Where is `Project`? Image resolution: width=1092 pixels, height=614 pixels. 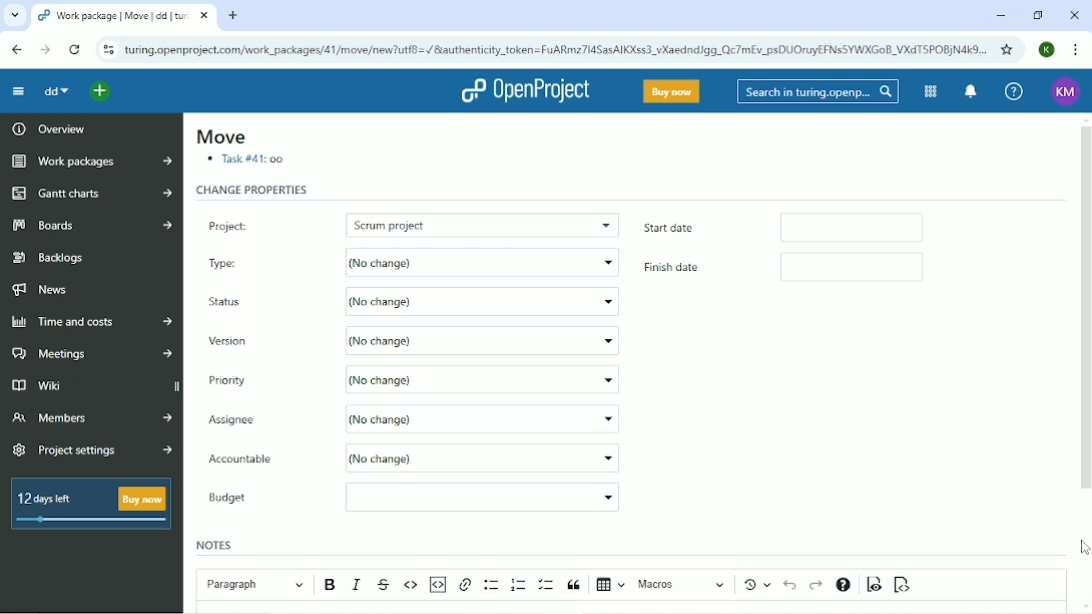 Project is located at coordinates (263, 222).